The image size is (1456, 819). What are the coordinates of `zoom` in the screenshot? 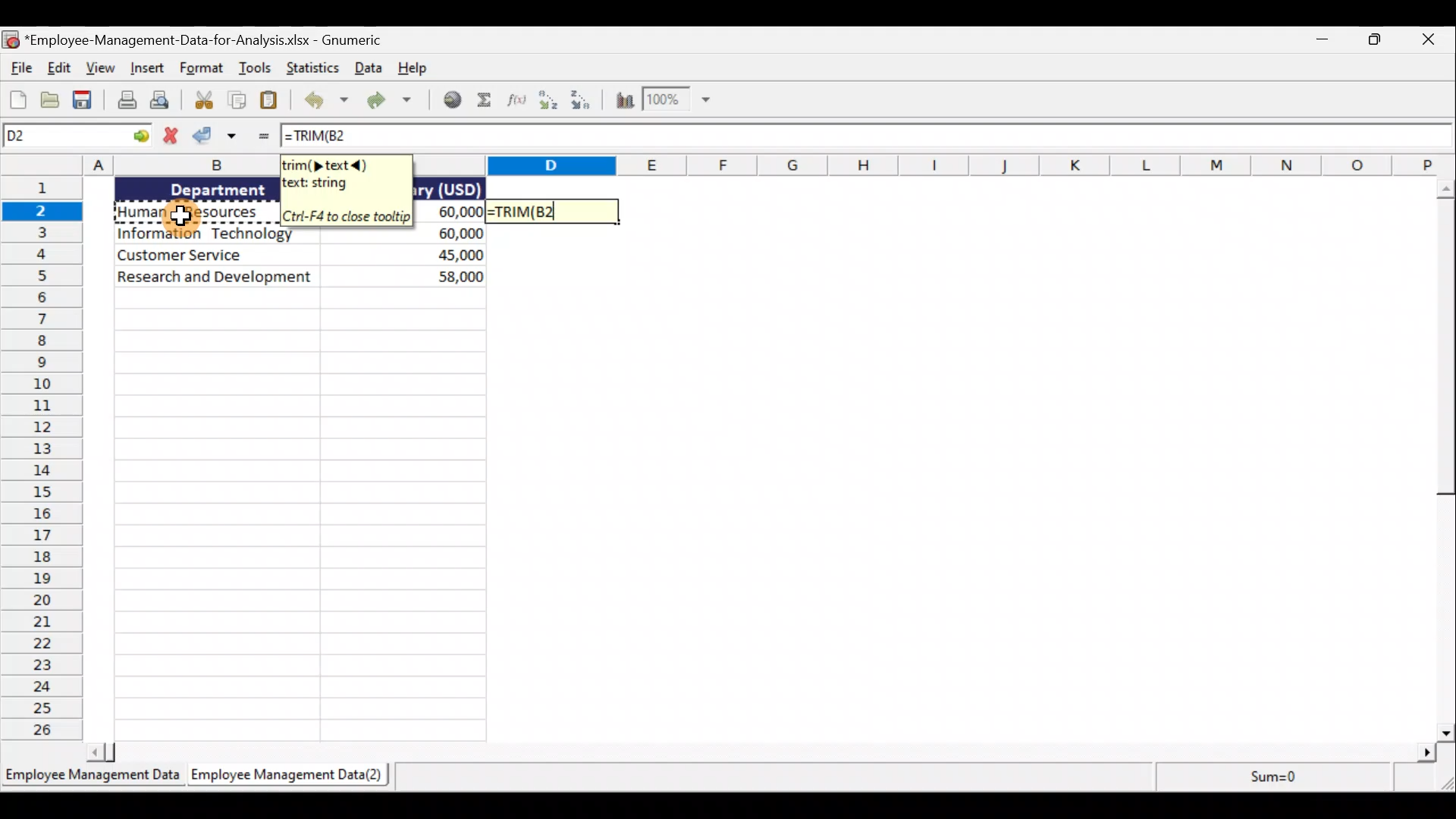 It's located at (687, 101).